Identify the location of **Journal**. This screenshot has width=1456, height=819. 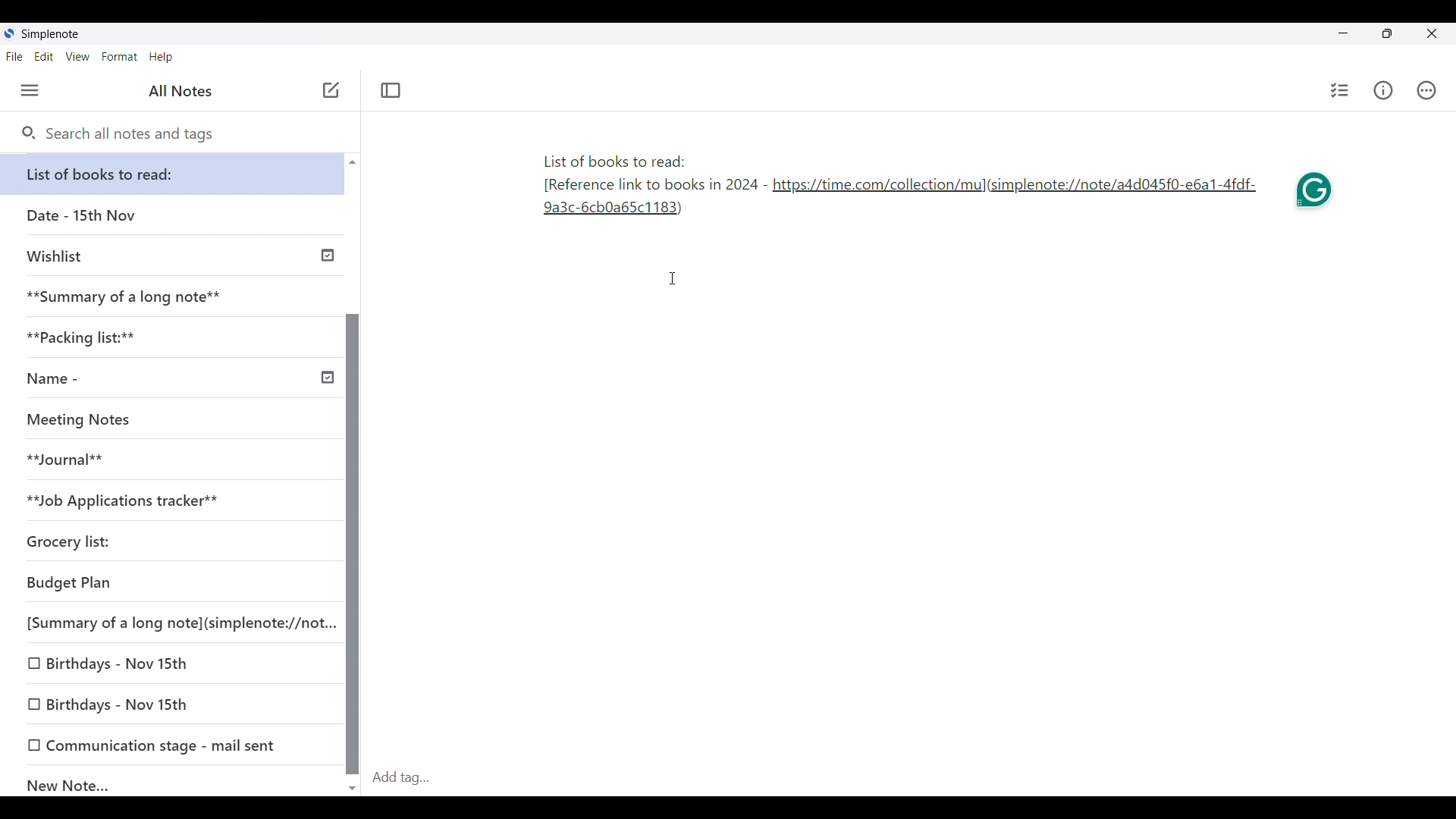
(168, 460).